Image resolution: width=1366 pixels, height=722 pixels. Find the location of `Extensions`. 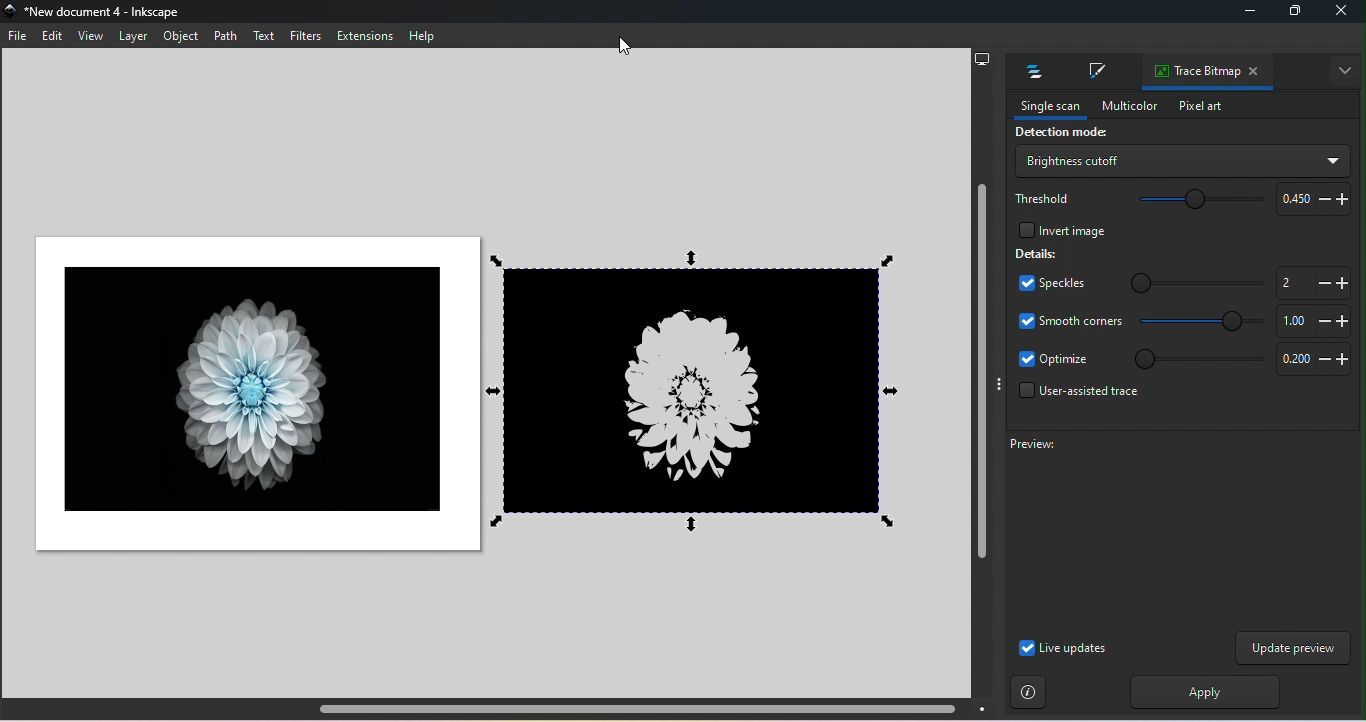

Extensions is located at coordinates (367, 36).